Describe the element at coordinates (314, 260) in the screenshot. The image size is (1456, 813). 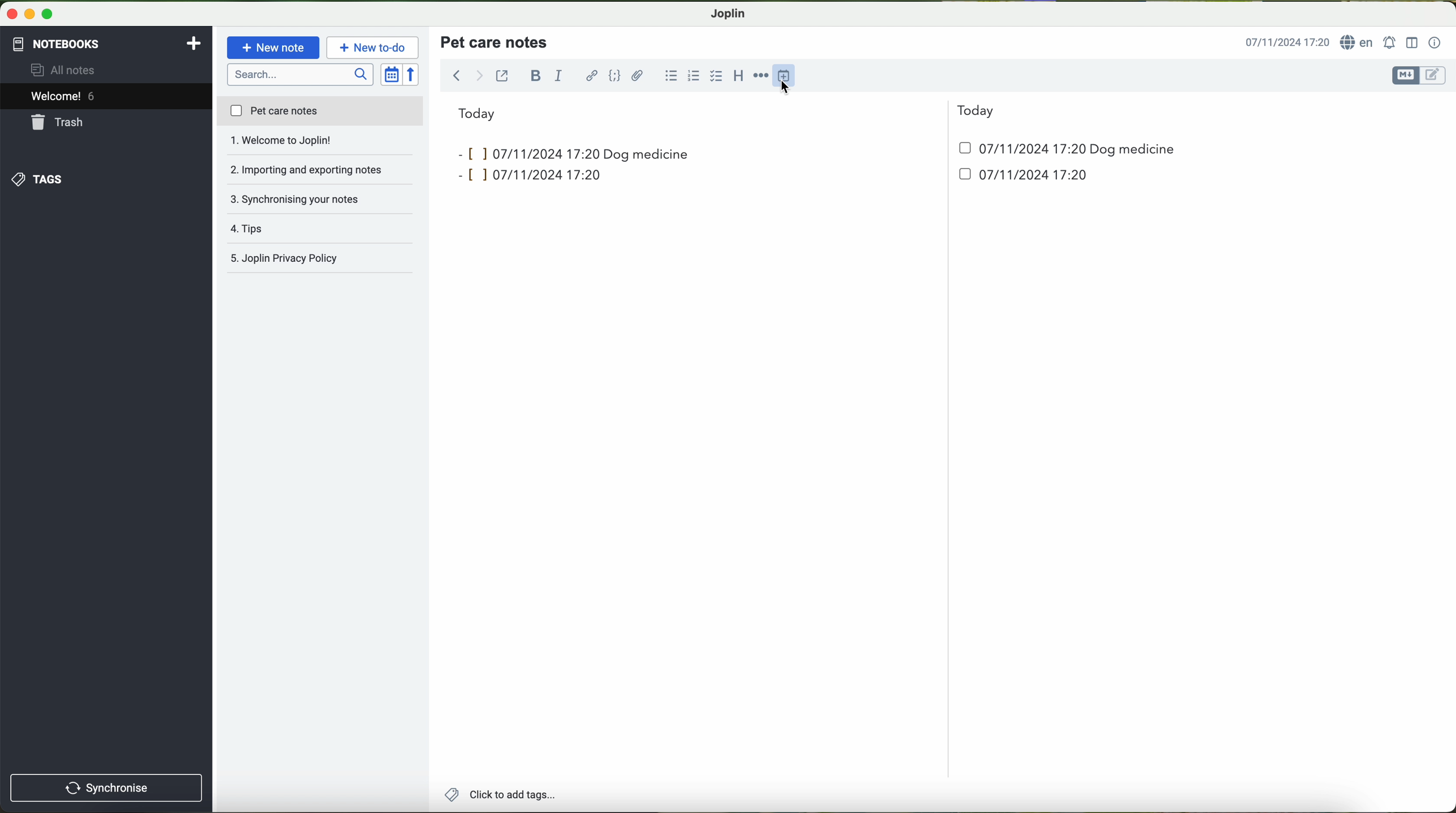
I see `joplin privacy policy` at that location.